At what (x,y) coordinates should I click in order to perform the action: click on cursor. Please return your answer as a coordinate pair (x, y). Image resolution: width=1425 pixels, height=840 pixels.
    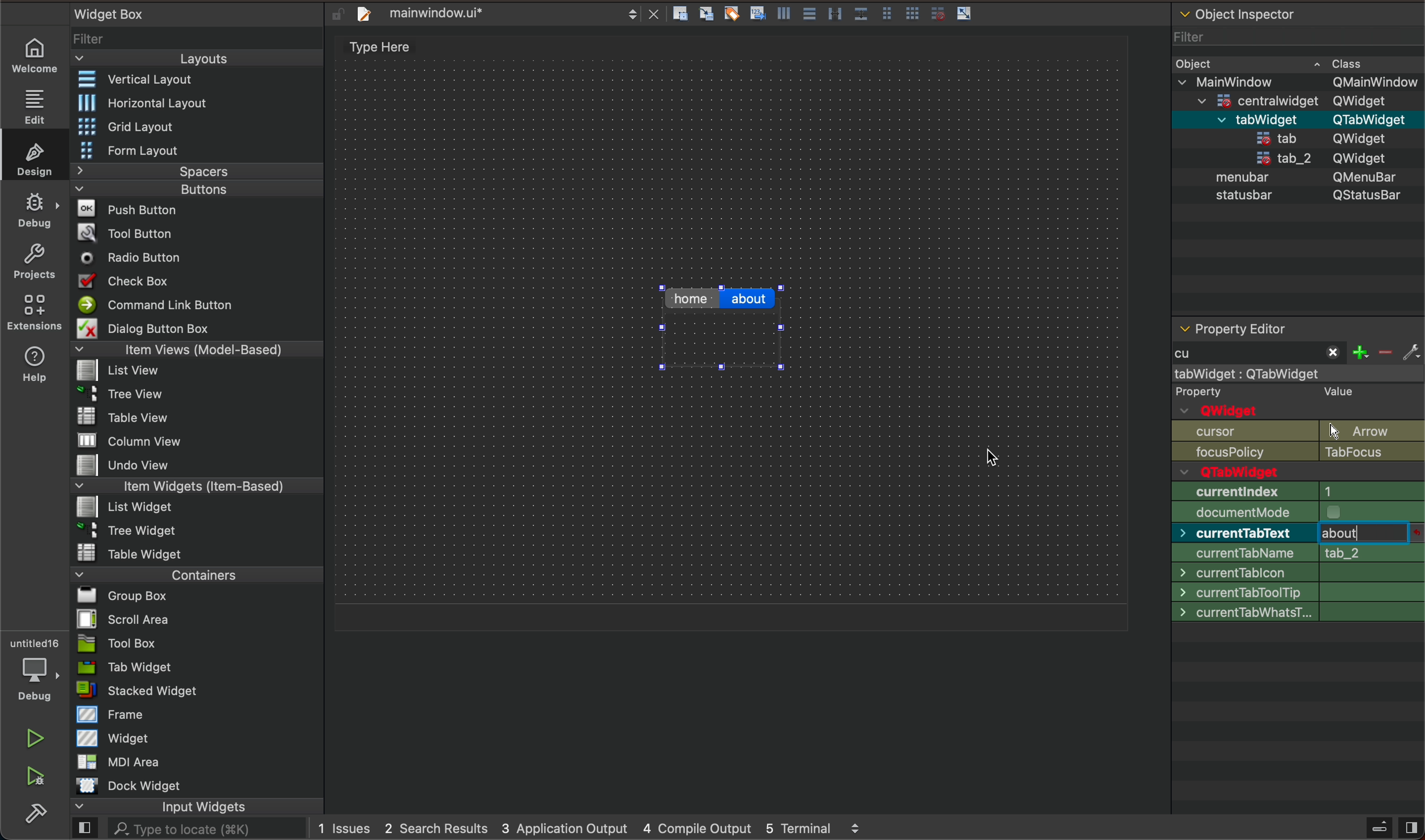
    Looking at the image, I should click on (1296, 652).